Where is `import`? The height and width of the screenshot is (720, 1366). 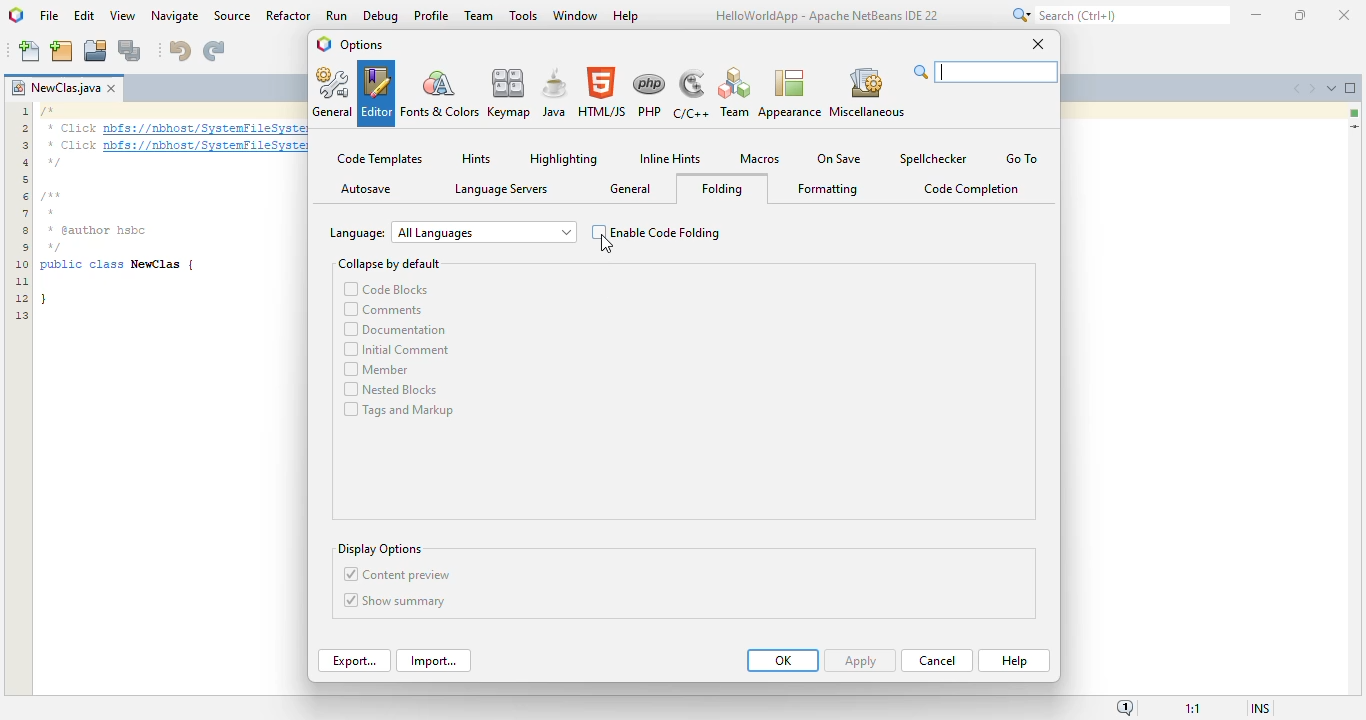
import is located at coordinates (434, 661).